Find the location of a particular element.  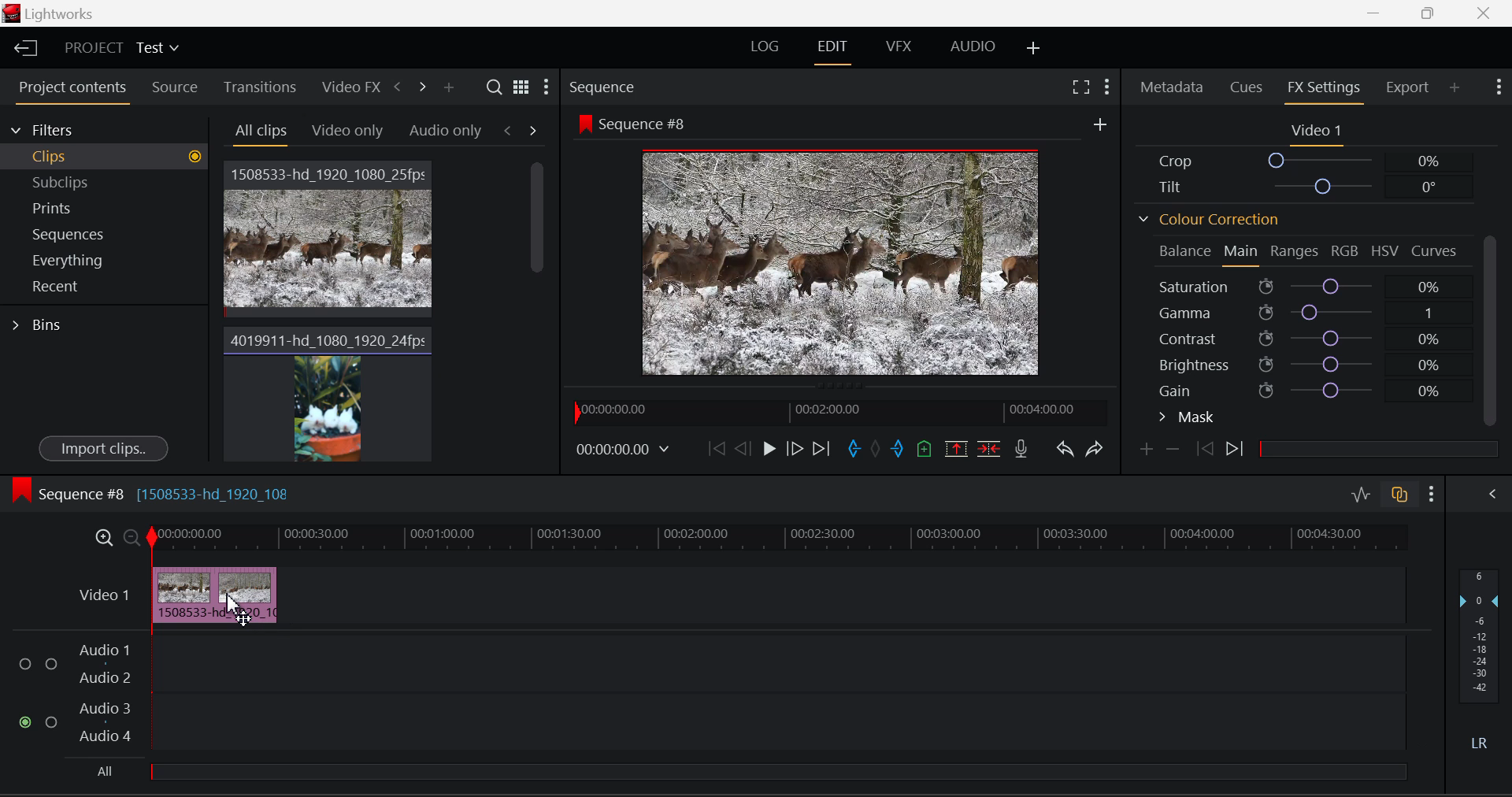

Minimize Timeline is located at coordinates (131, 537).